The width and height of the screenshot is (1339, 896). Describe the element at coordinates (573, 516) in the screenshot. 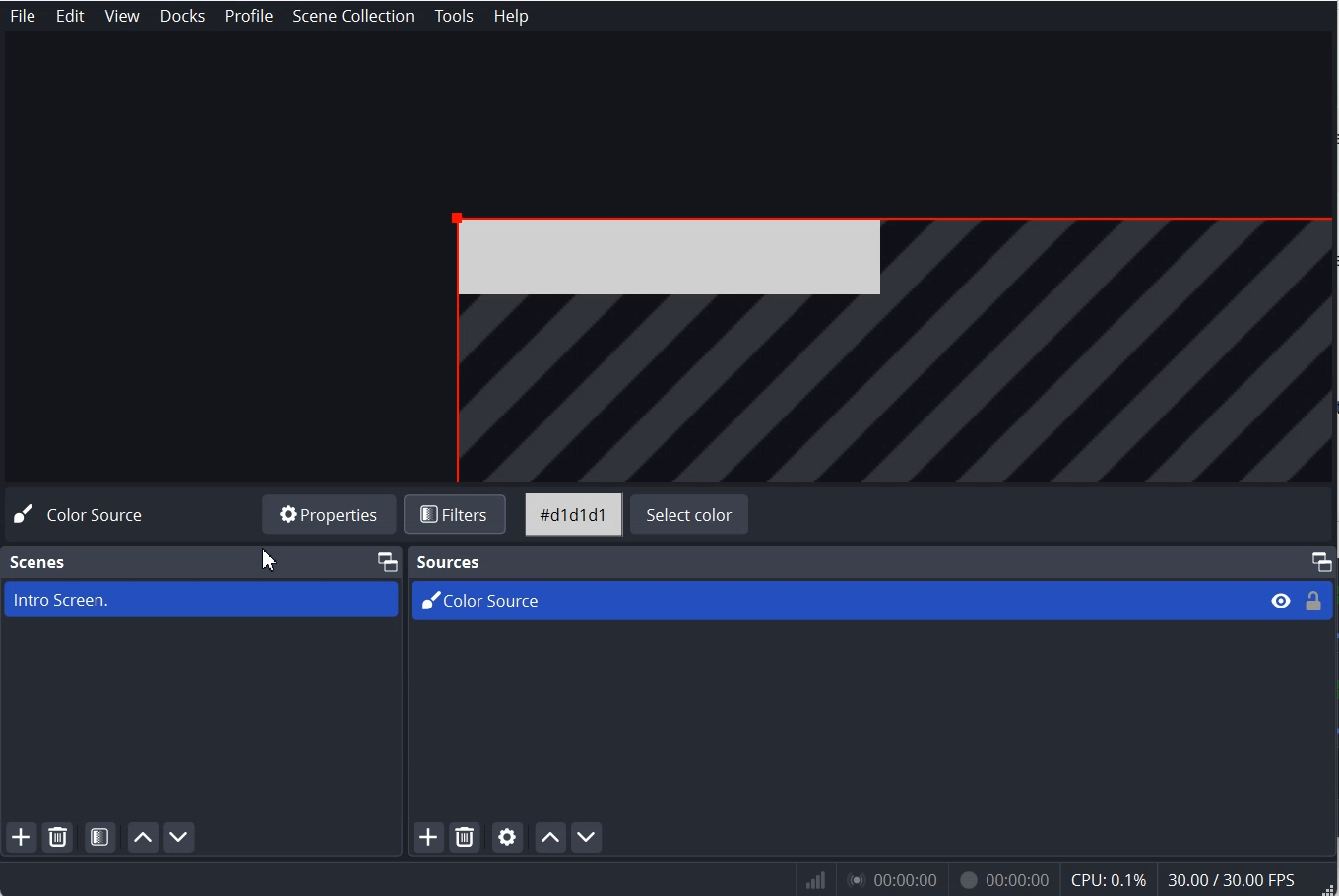

I see `Color Code` at that location.